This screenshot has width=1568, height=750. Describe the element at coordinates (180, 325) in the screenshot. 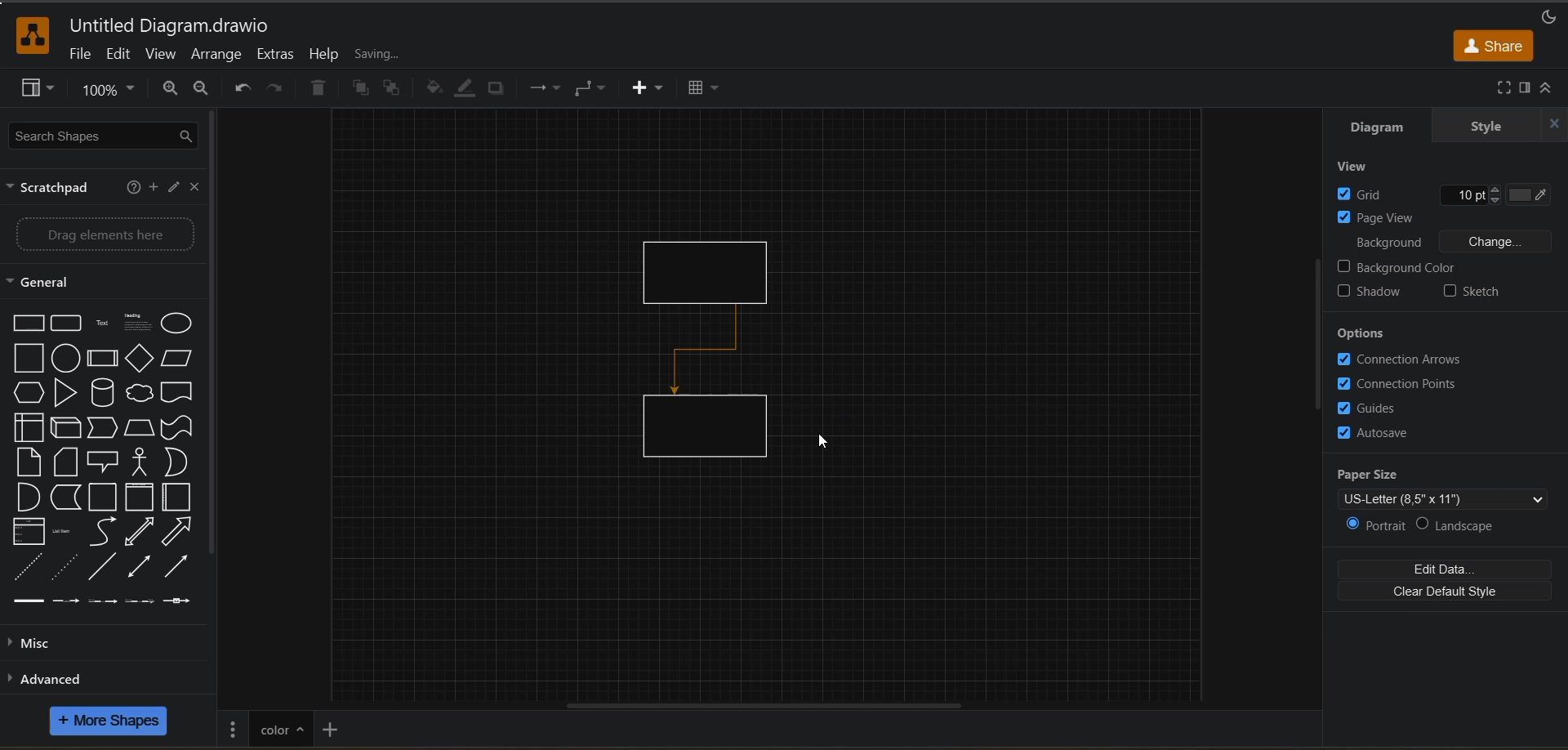

I see `Eclipse` at that location.